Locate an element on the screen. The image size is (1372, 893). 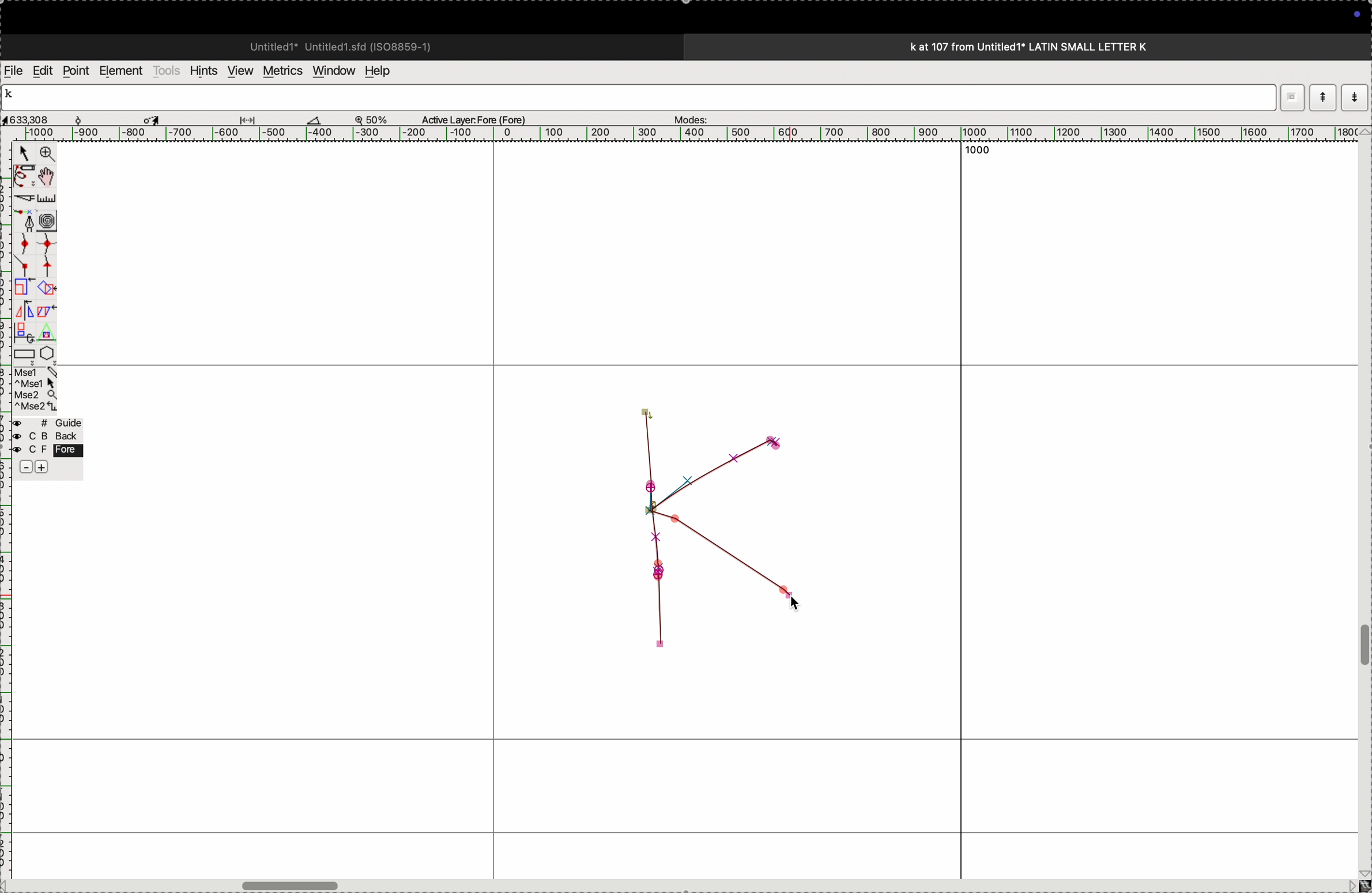
mse is located at coordinates (36, 390).